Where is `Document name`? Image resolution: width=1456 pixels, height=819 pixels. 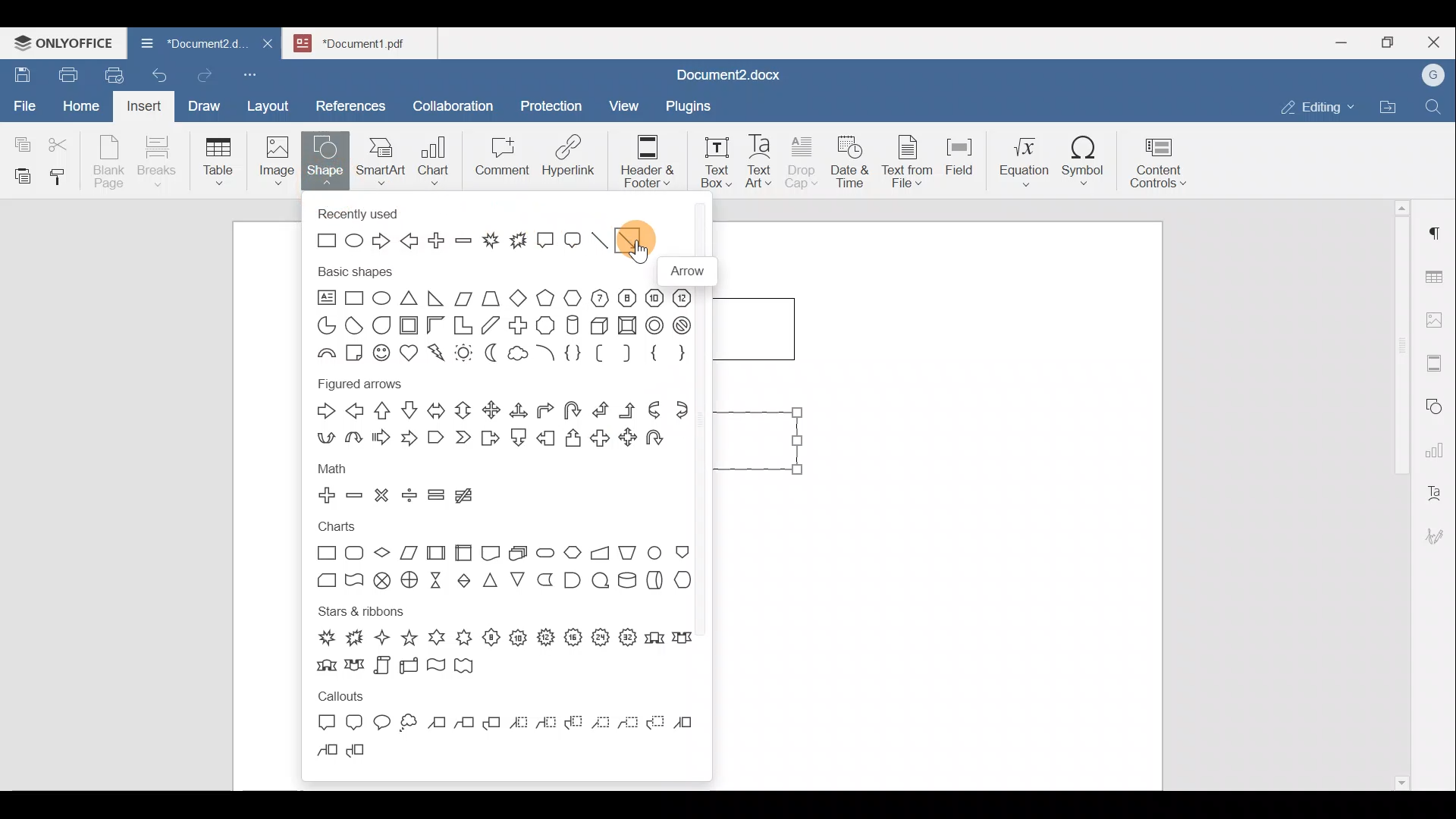
Document name is located at coordinates (369, 41).